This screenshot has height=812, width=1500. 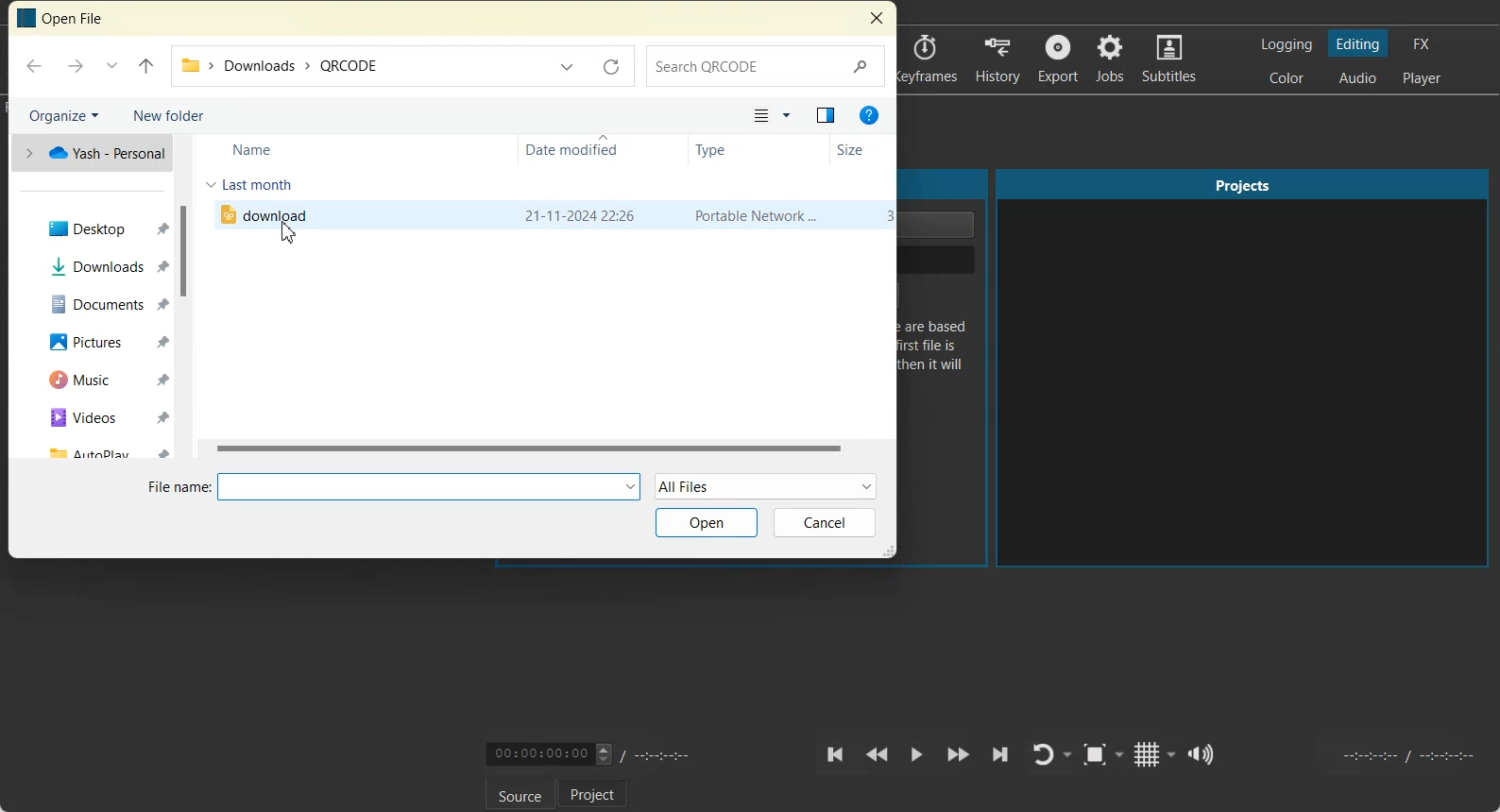 I want to click on Type, so click(x=731, y=150).